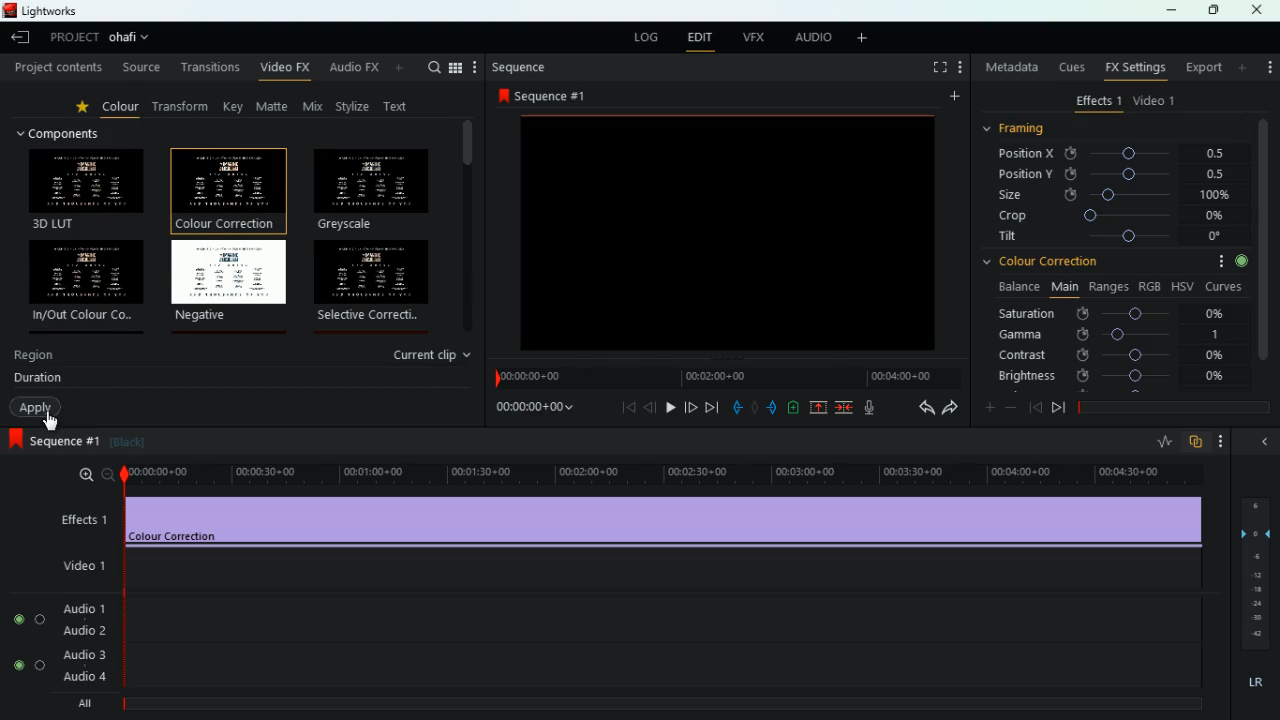  Describe the element at coordinates (651, 409) in the screenshot. I see `backward` at that location.